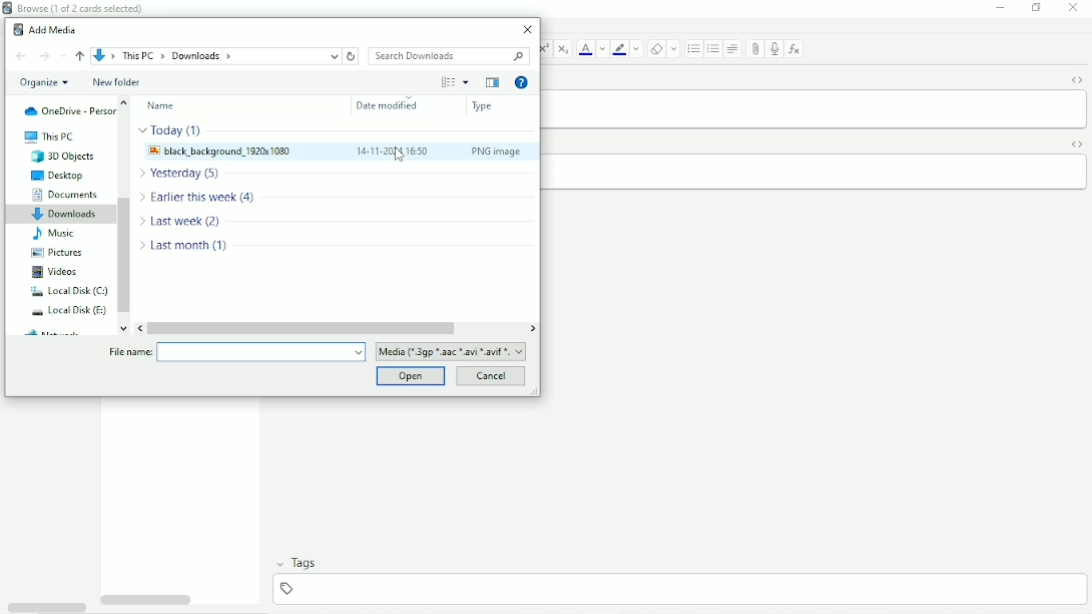 The height and width of the screenshot is (614, 1092). I want to click on Superscript, so click(545, 49).